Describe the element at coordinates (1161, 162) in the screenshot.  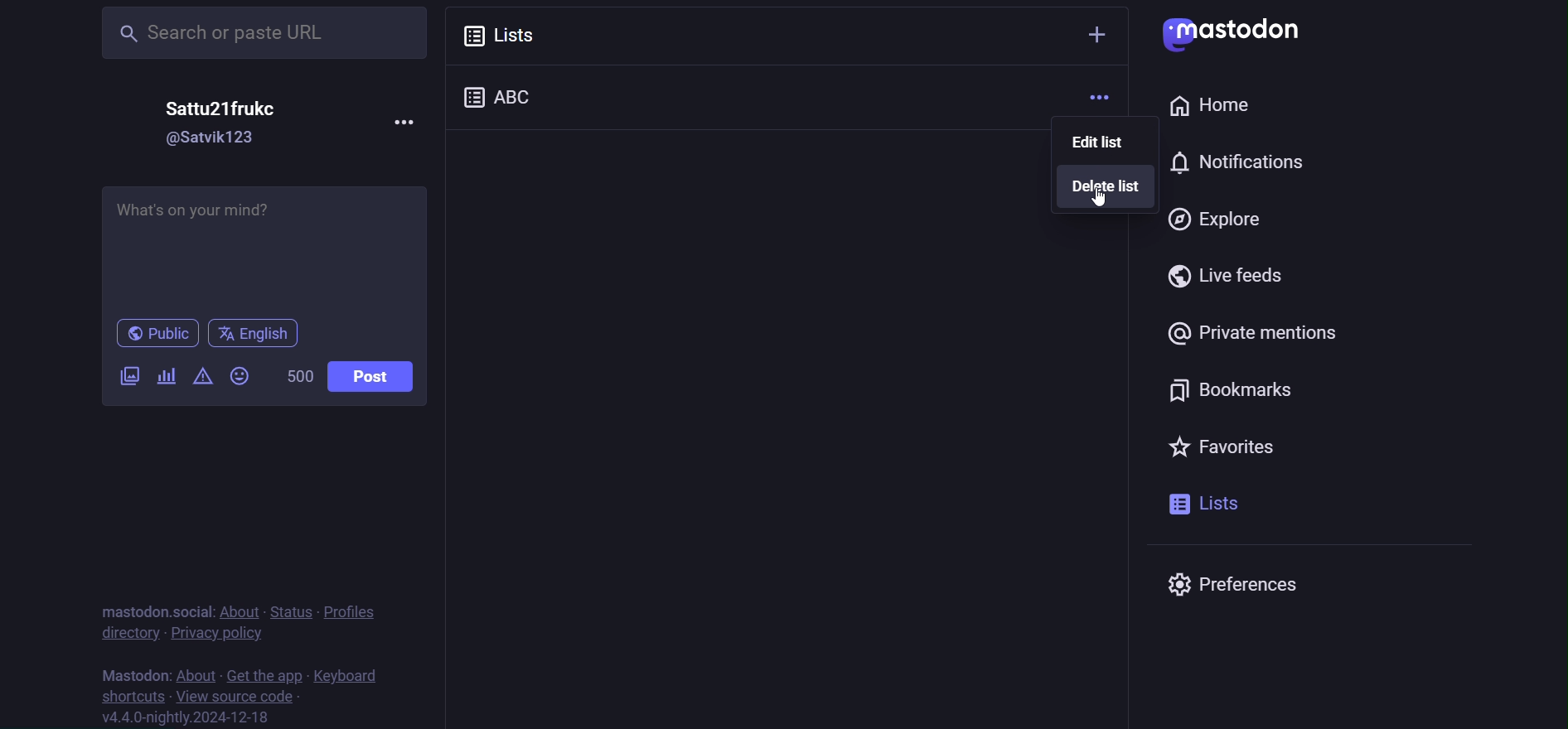
I see `notification` at that location.